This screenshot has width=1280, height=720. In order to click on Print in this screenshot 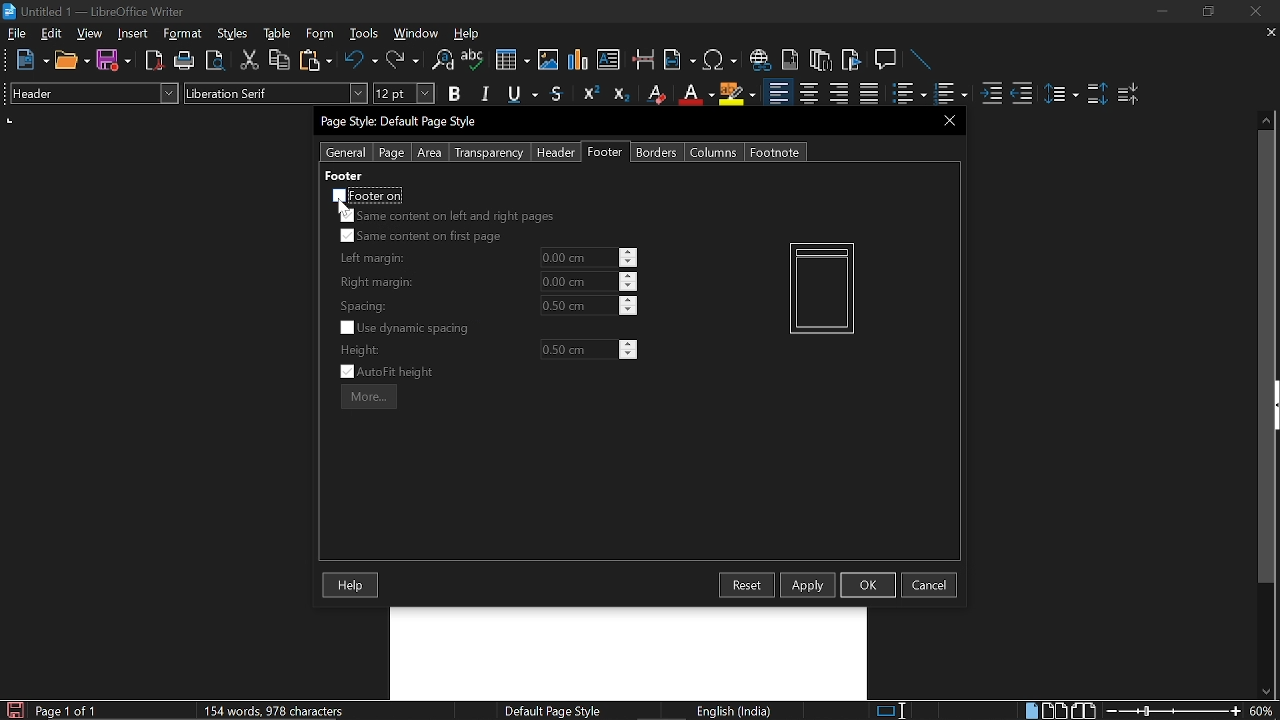, I will do `click(185, 61)`.